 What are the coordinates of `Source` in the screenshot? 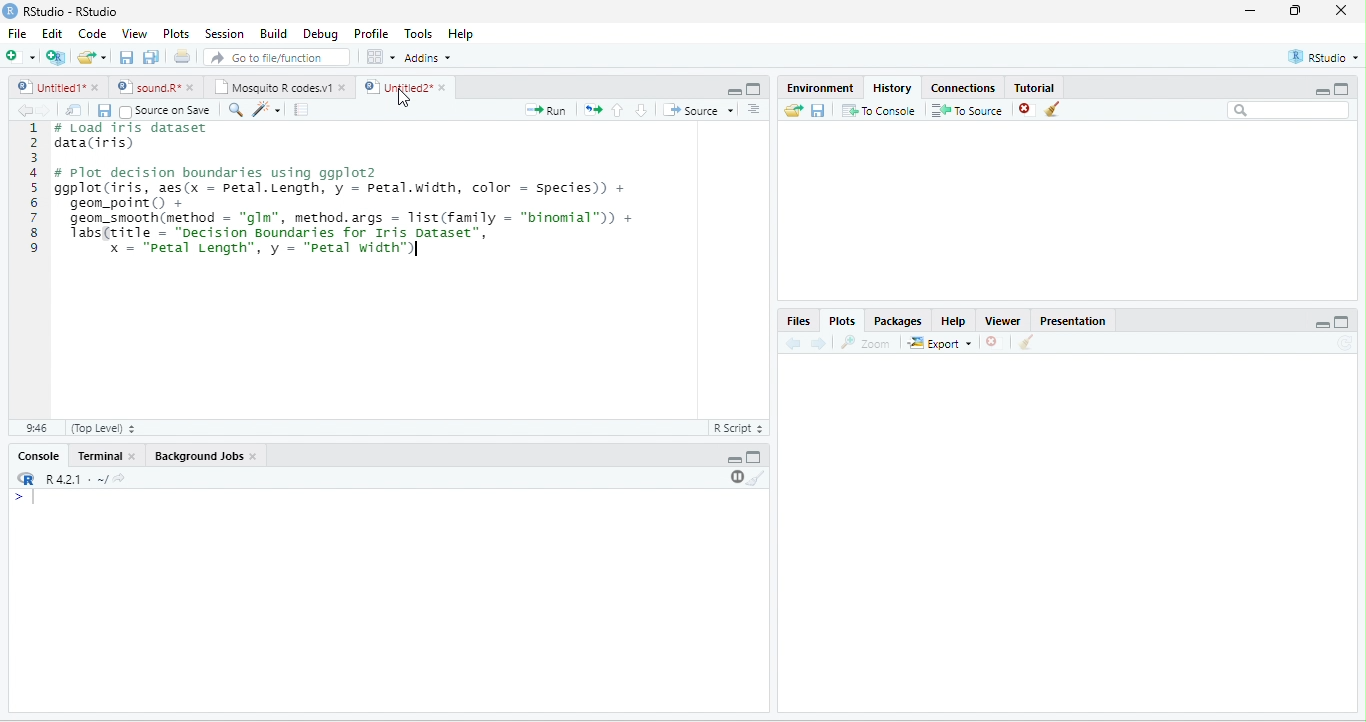 It's located at (698, 110).